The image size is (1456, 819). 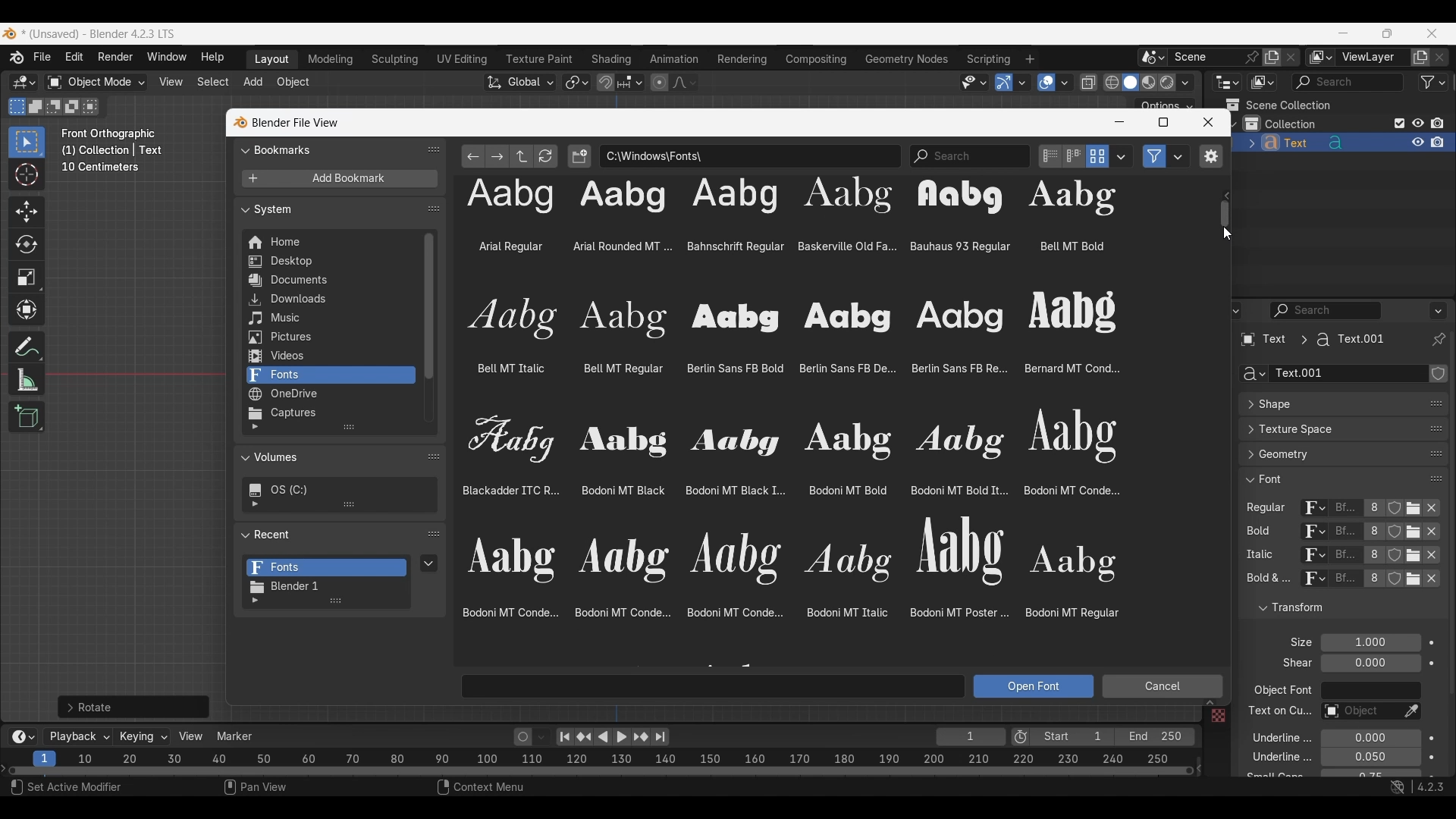 I want to click on Name of current font of each attribute, so click(x=1345, y=510).